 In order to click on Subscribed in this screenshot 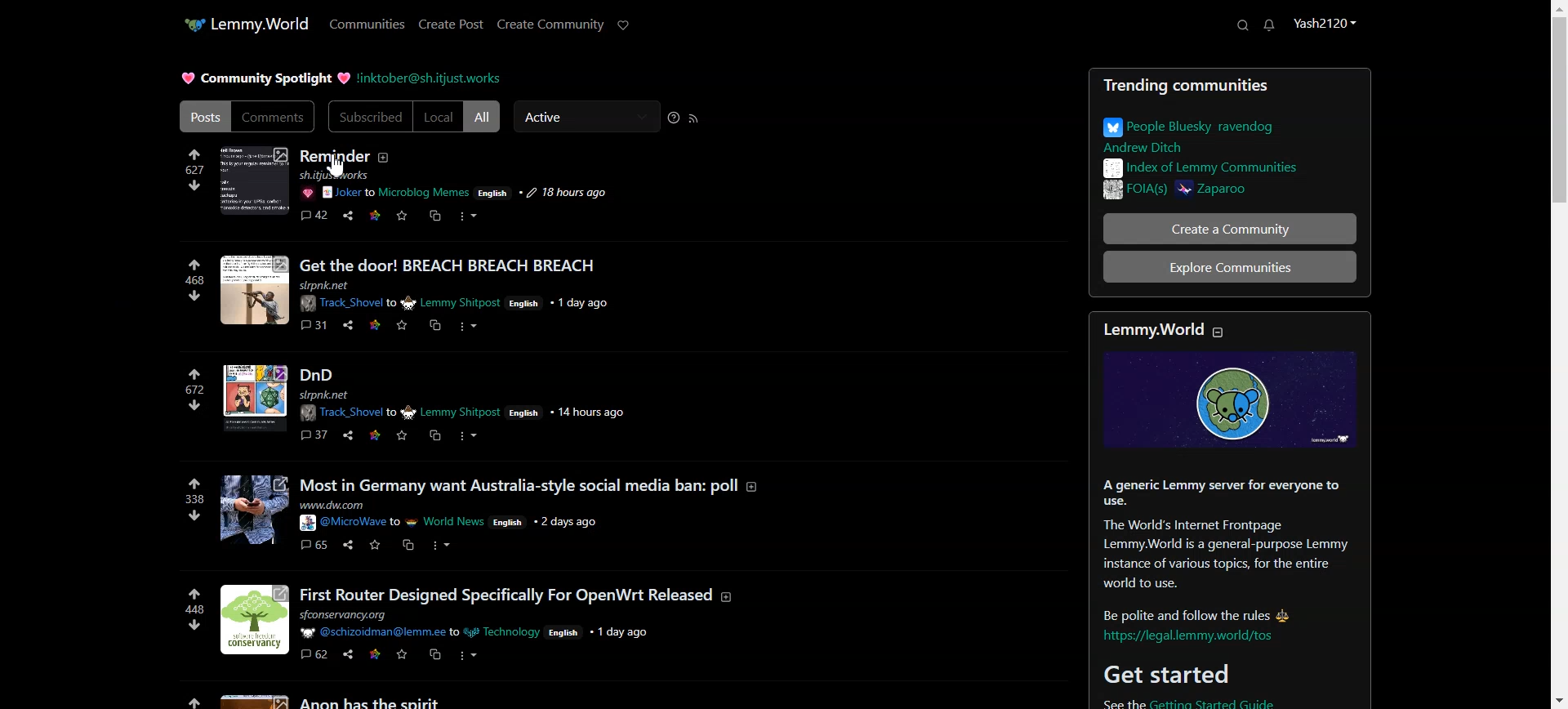, I will do `click(369, 117)`.